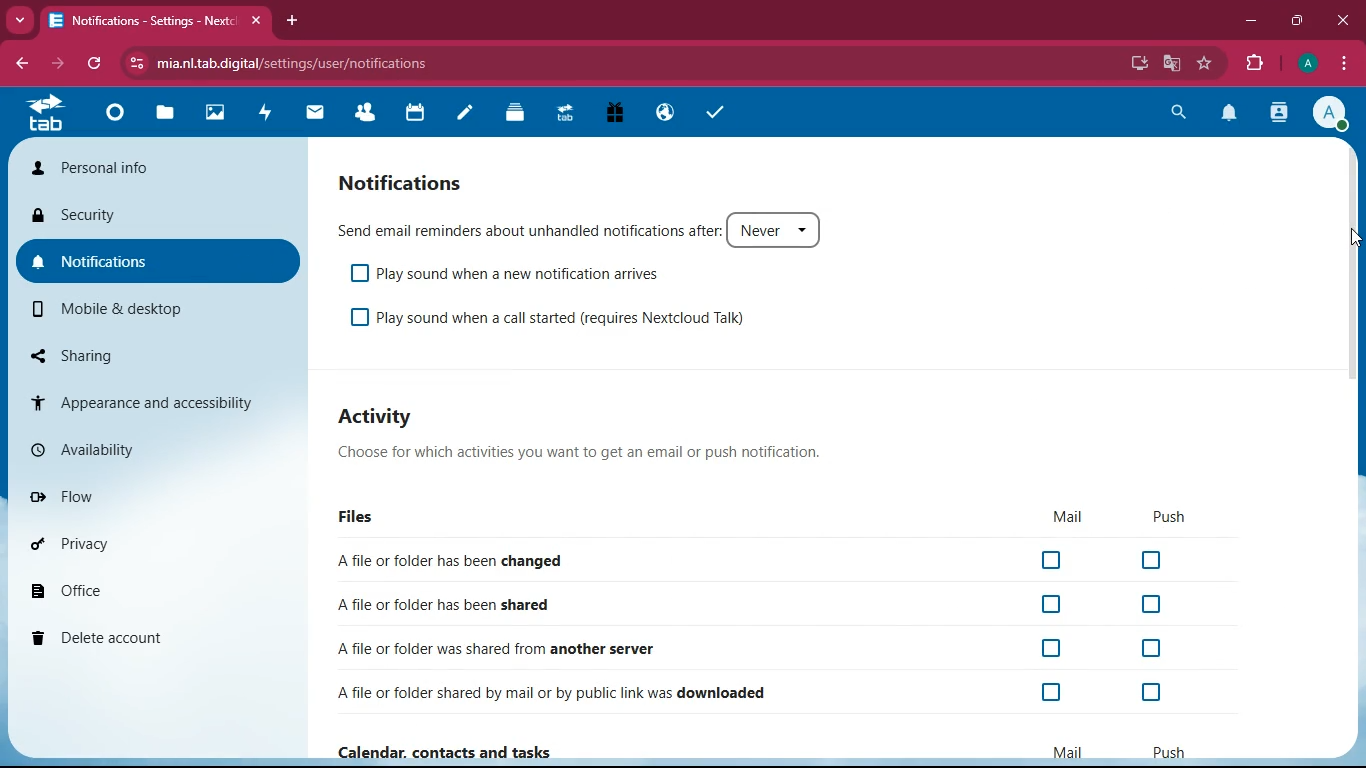 This screenshot has width=1366, height=768. Describe the element at coordinates (666, 114) in the screenshot. I see `Email hosting` at that location.